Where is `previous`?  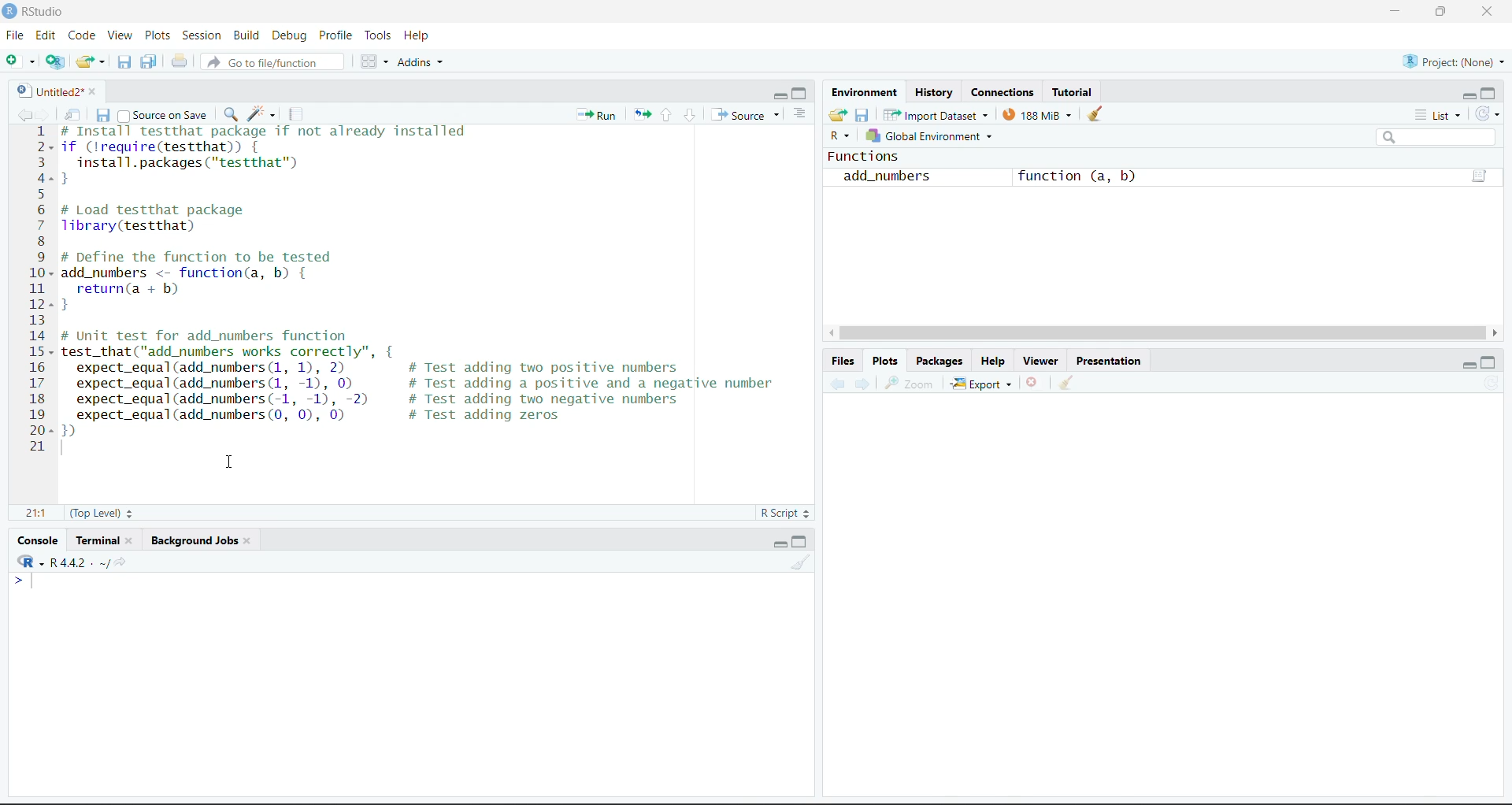
previous is located at coordinates (836, 383).